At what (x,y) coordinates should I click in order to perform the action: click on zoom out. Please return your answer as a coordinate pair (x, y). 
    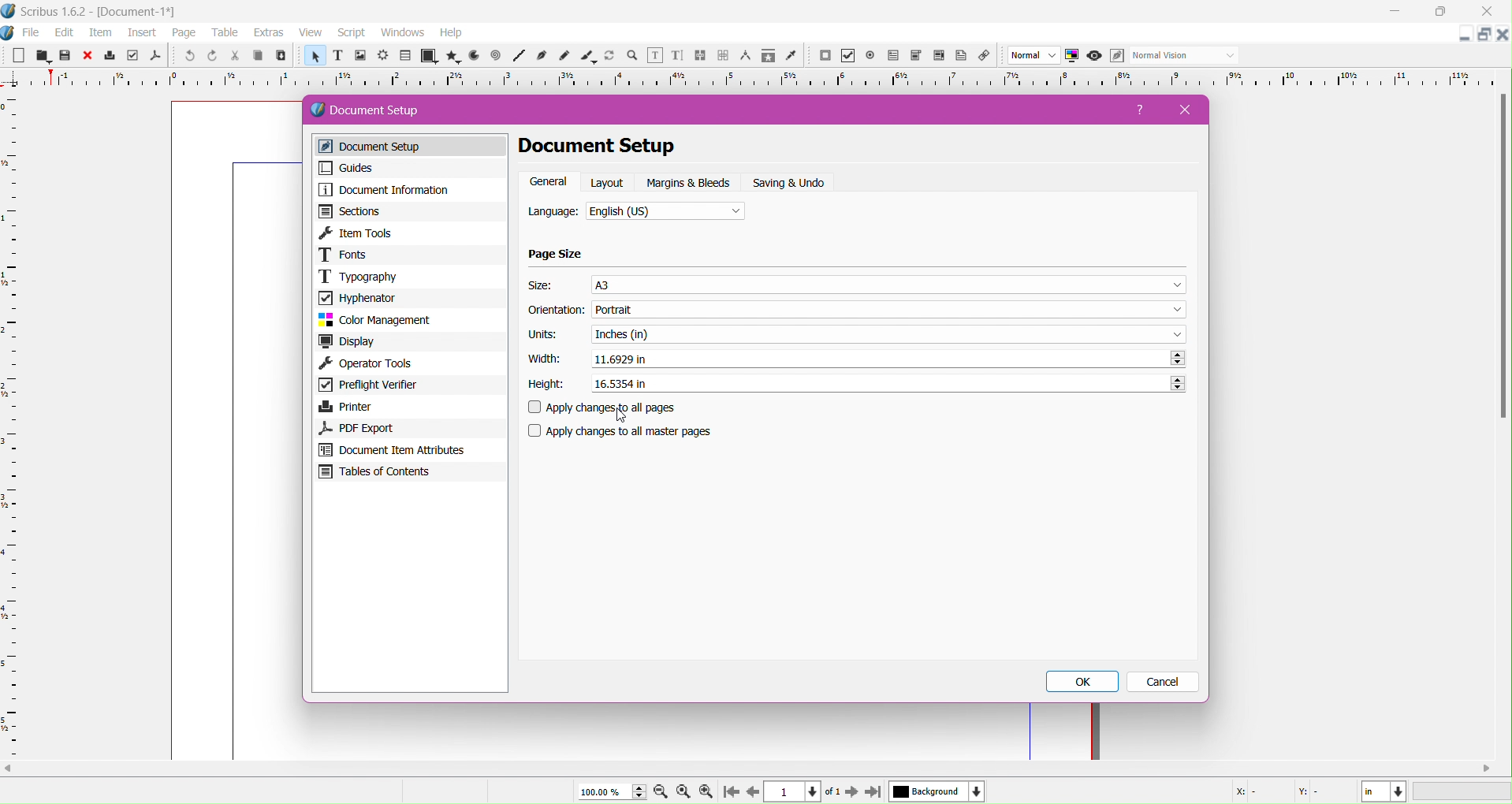
    Looking at the image, I should click on (662, 793).